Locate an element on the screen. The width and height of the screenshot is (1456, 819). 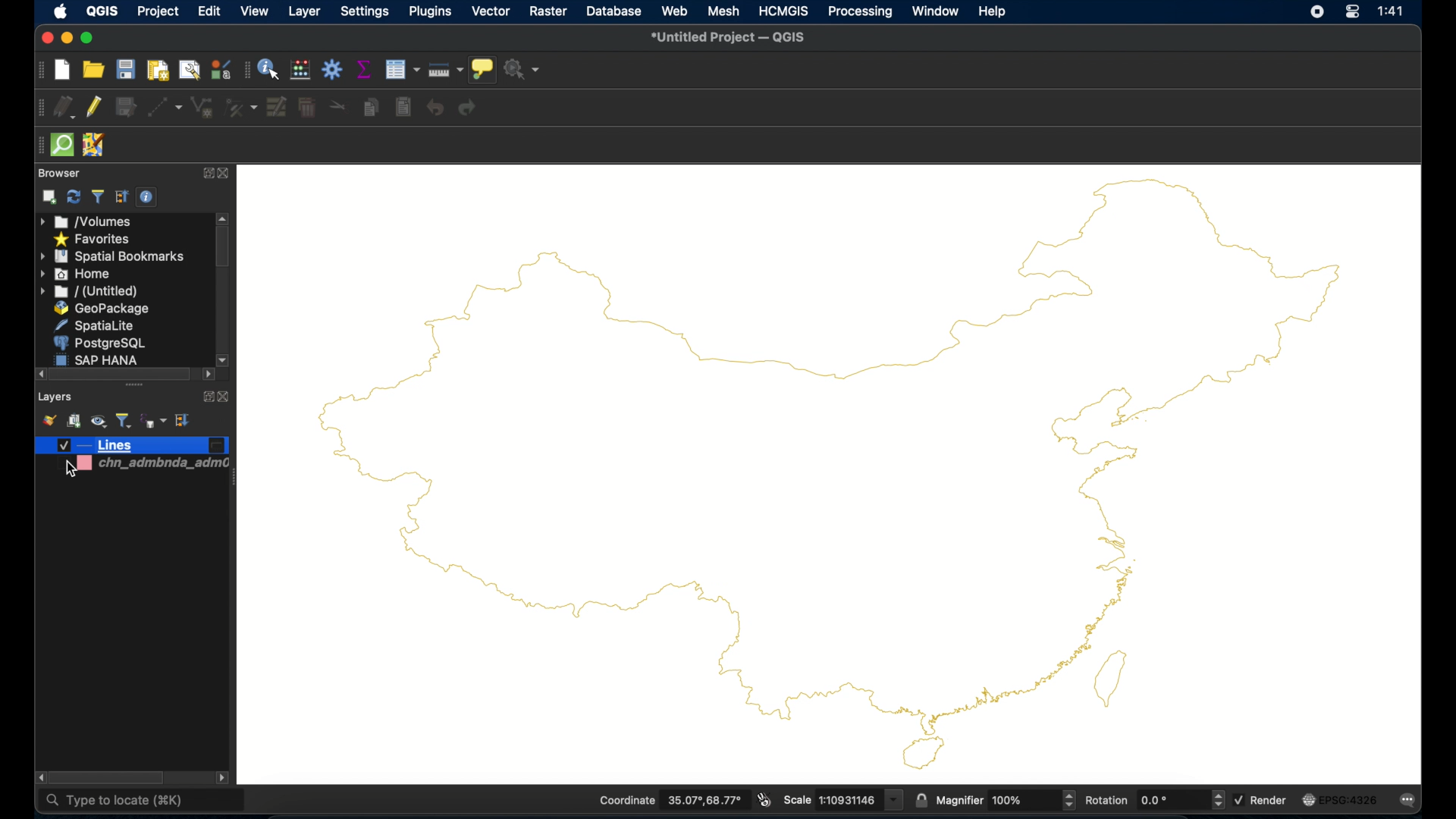
copy features is located at coordinates (371, 105).